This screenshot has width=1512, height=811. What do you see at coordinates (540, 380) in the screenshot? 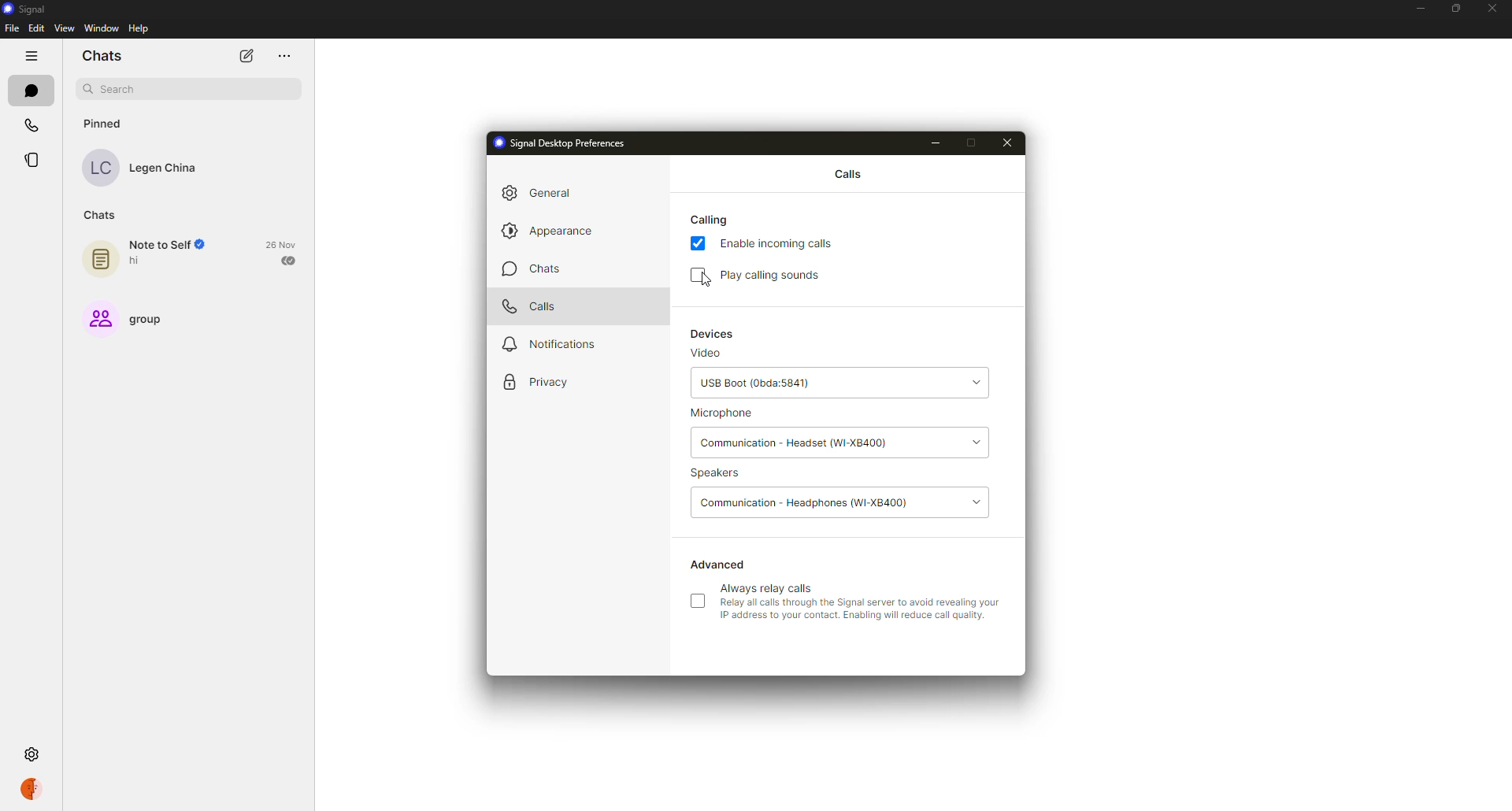
I see `privacy` at bounding box center [540, 380].